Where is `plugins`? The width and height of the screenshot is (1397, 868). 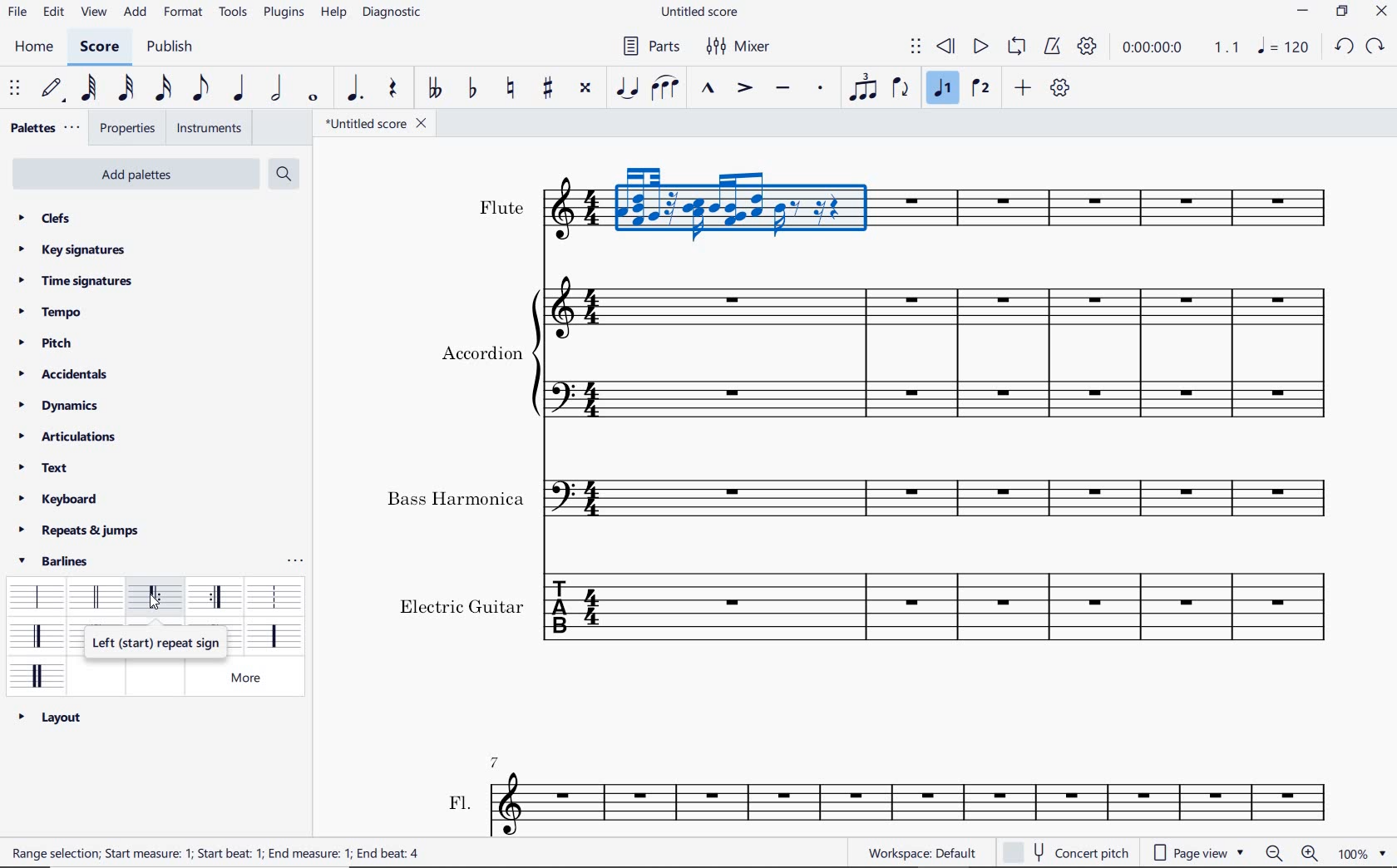
plugins is located at coordinates (283, 14).